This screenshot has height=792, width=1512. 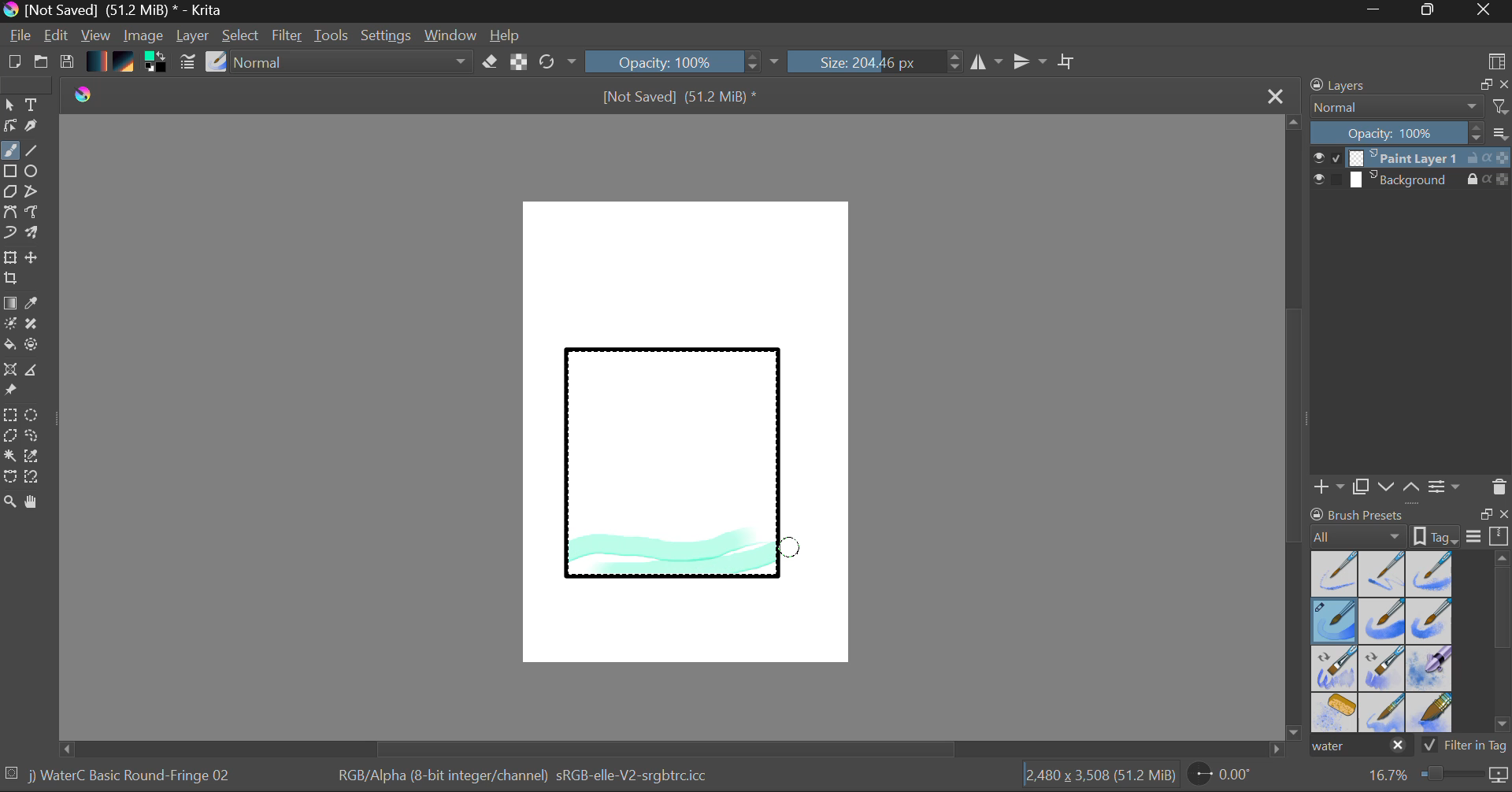 I want to click on Zoom, so click(x=1436, y=775).